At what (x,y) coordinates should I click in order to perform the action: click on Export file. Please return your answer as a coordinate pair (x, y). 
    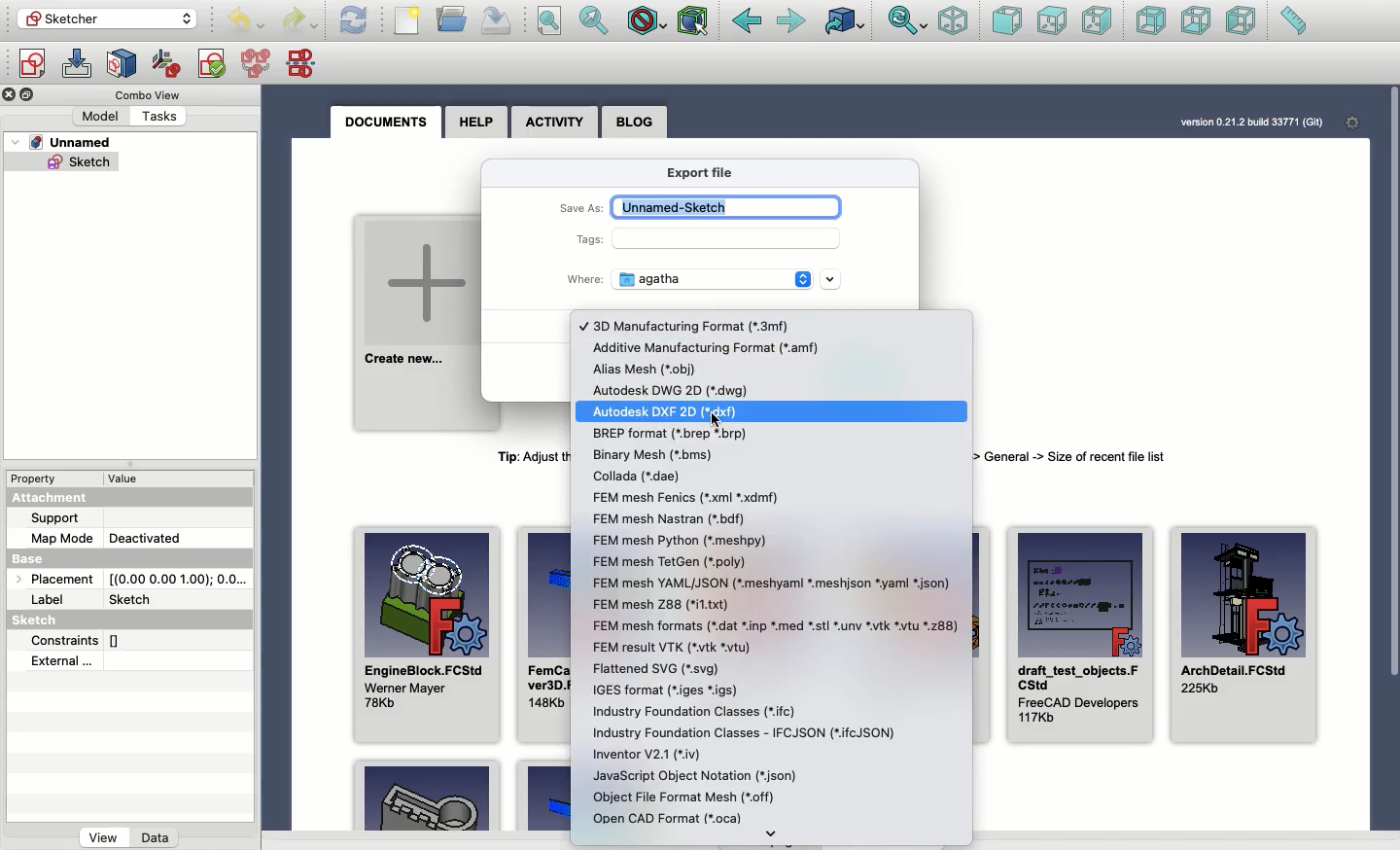
    Looking at the image, I should click on (713, 174).